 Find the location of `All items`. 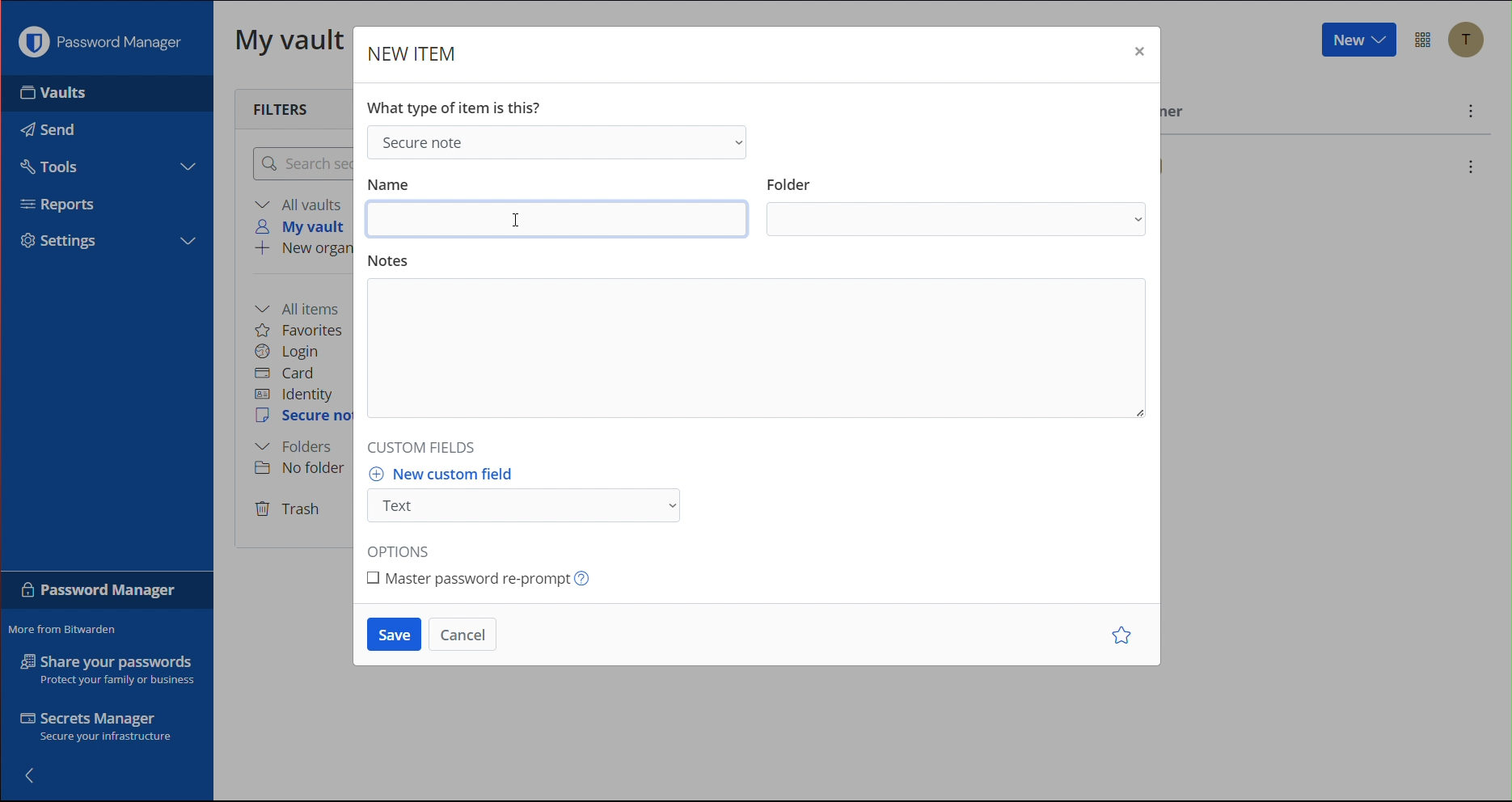

All items is located at coordinates (302, 307).